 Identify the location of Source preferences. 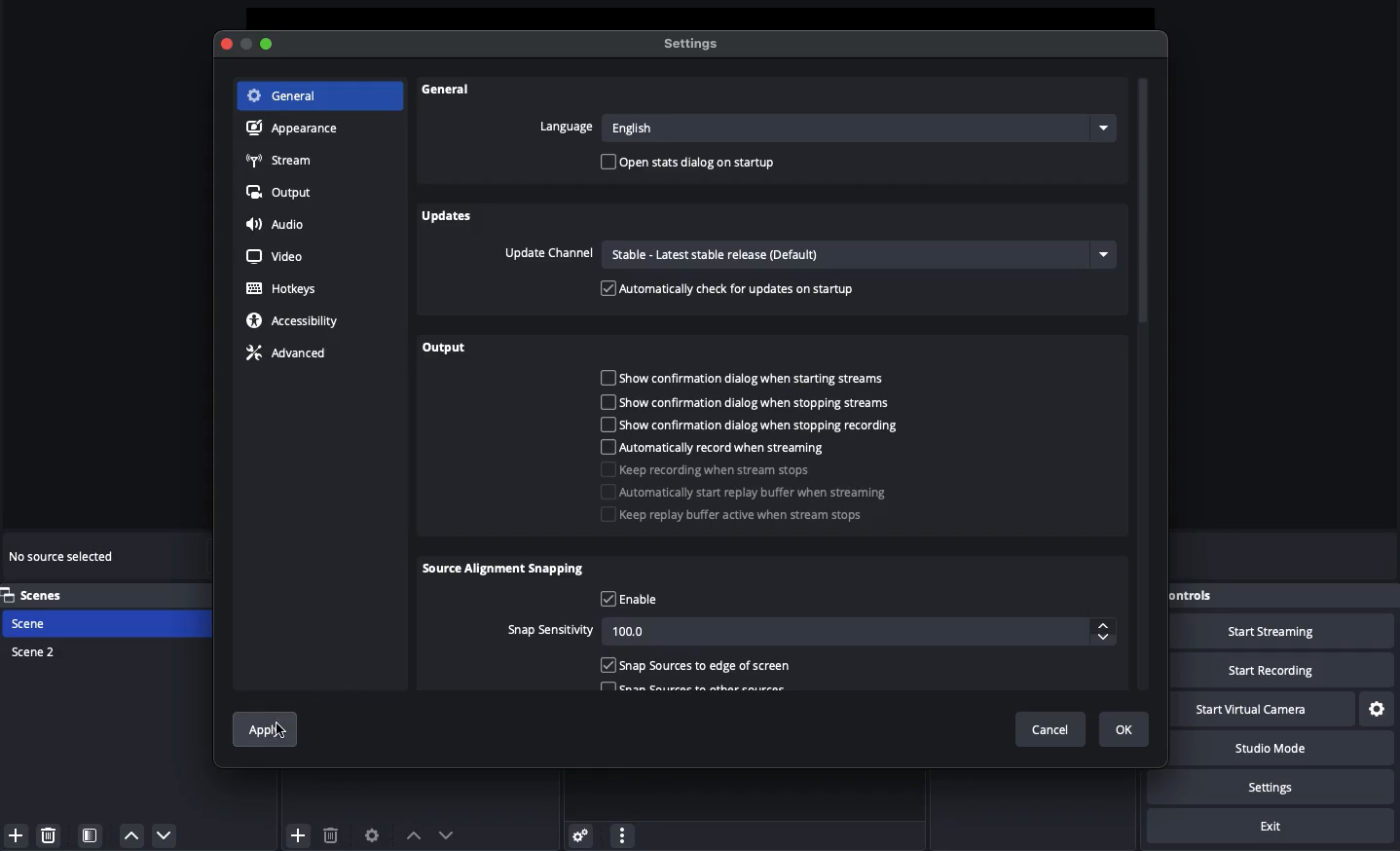
(375, 835).